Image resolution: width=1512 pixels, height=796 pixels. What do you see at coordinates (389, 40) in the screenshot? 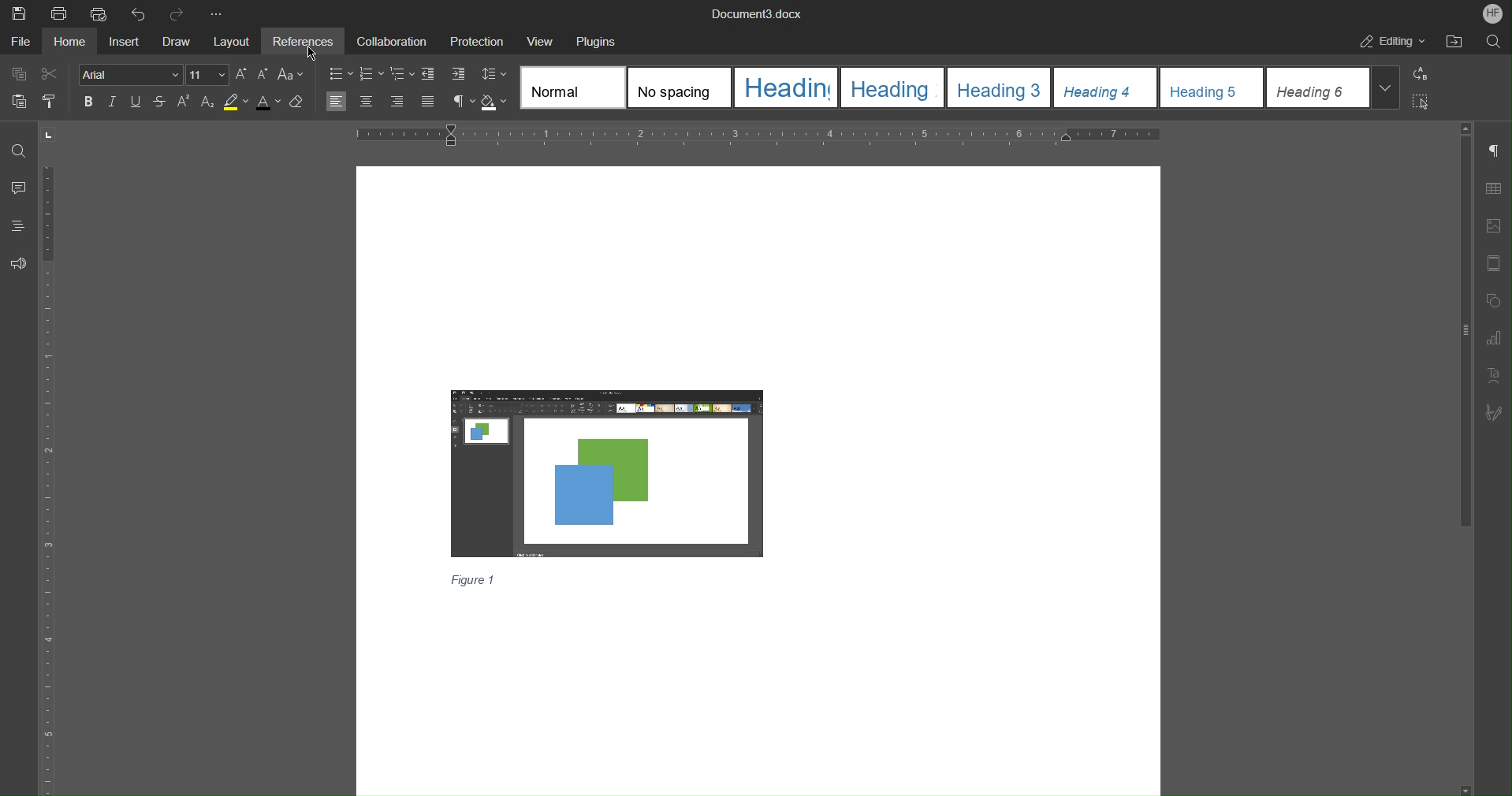
I see `Collaboration` at bounding box center [389, 40].